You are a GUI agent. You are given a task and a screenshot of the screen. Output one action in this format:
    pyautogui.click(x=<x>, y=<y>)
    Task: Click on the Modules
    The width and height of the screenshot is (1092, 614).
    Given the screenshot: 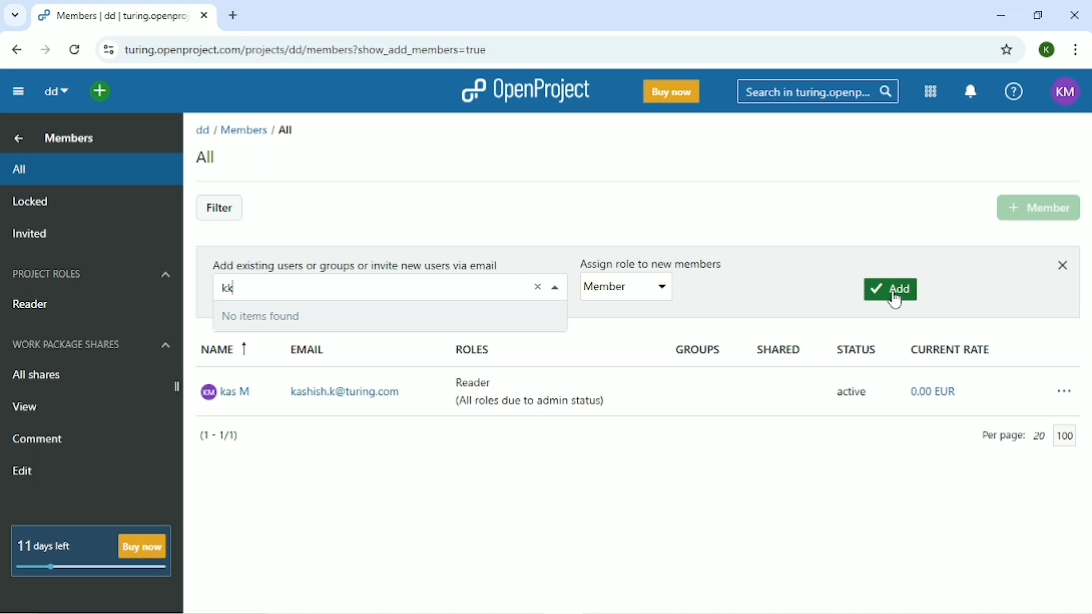 What is the action you would take?
    pyautogui.click(x=928, y=91)
    